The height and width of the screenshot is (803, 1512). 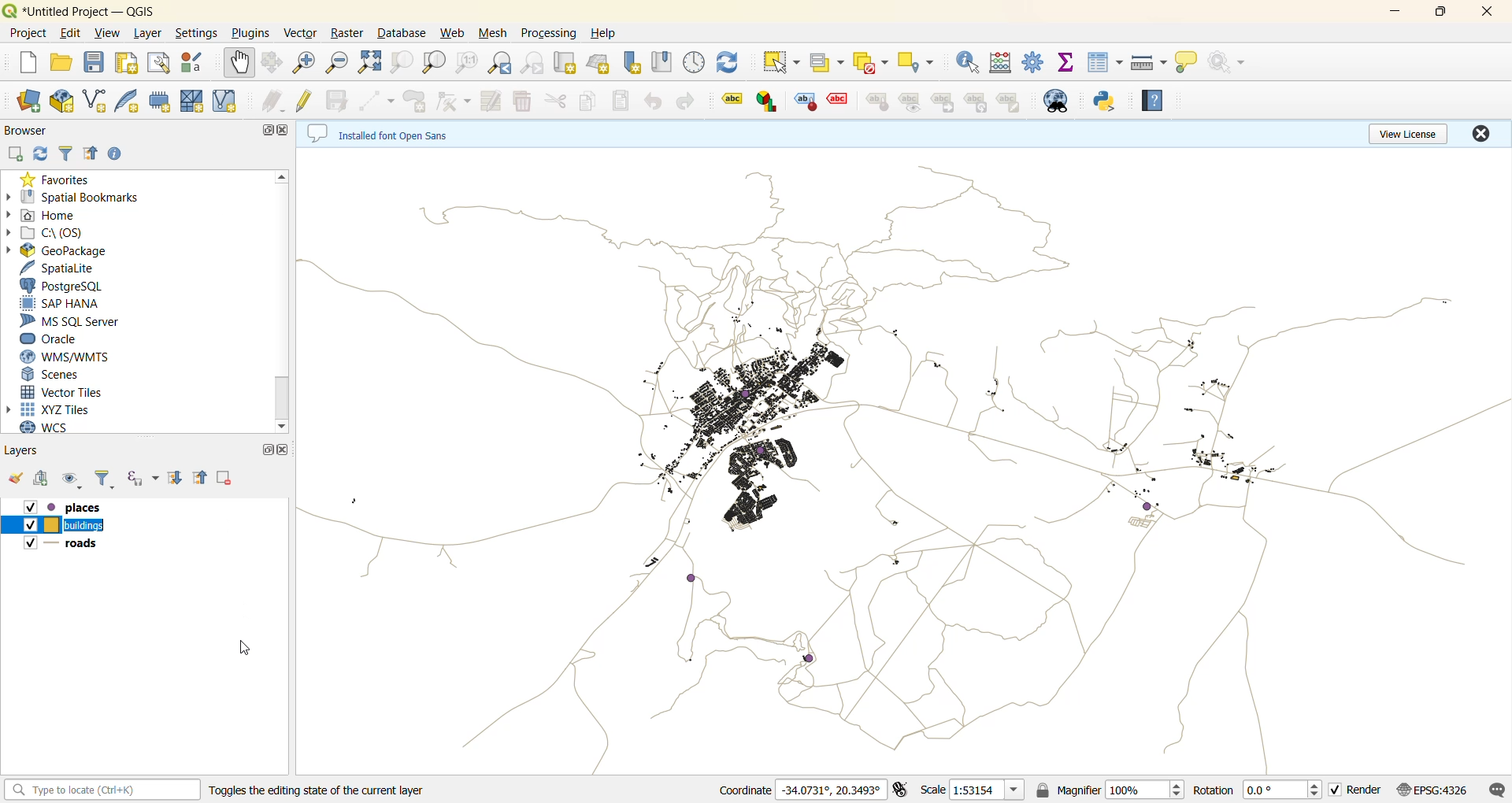 I want to click on zoom in, so click(x=307, y=64).